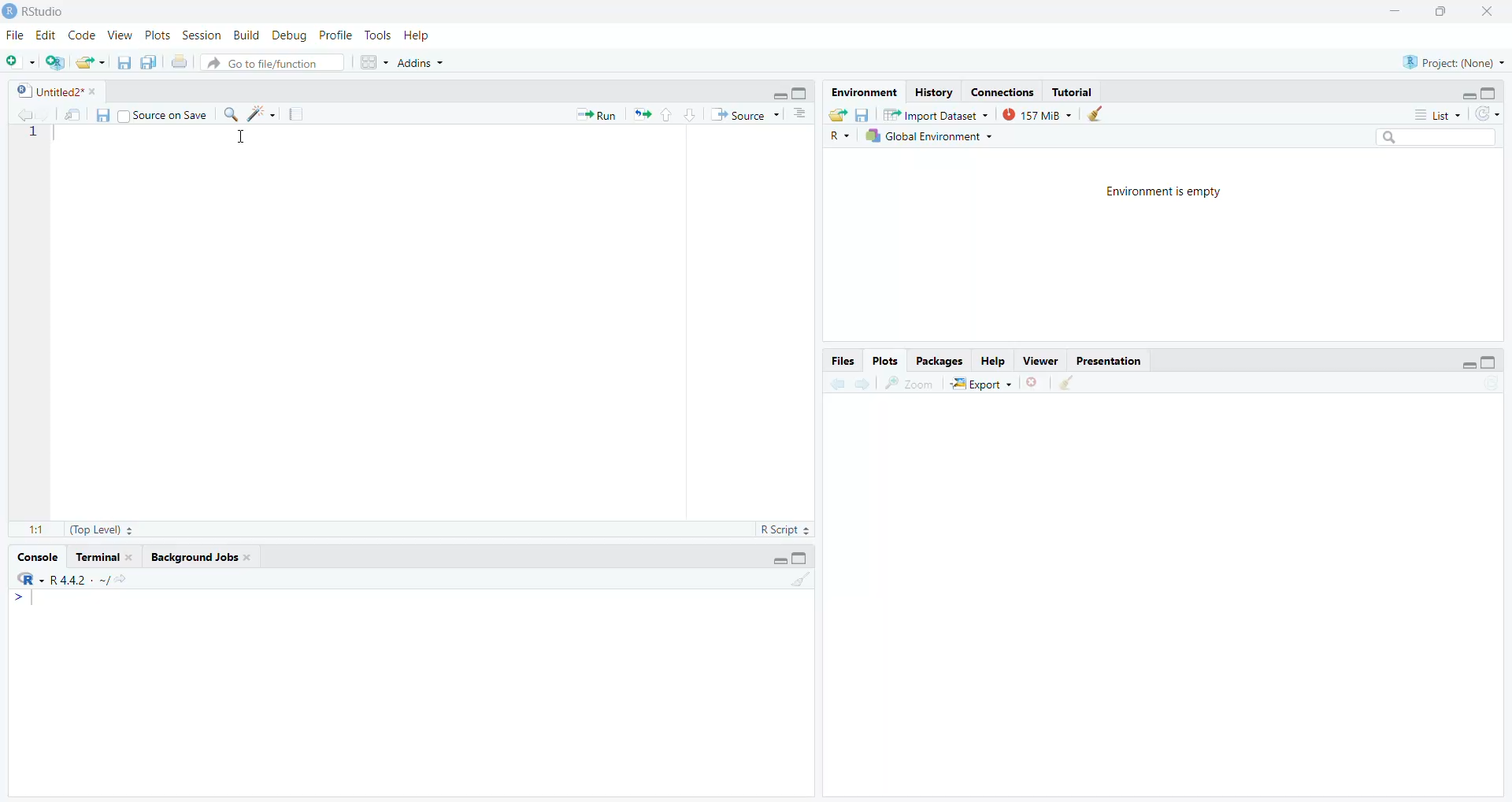 The width and height of the screenshot is (1512, 802). I want to click on next plot, so click(862, 384).